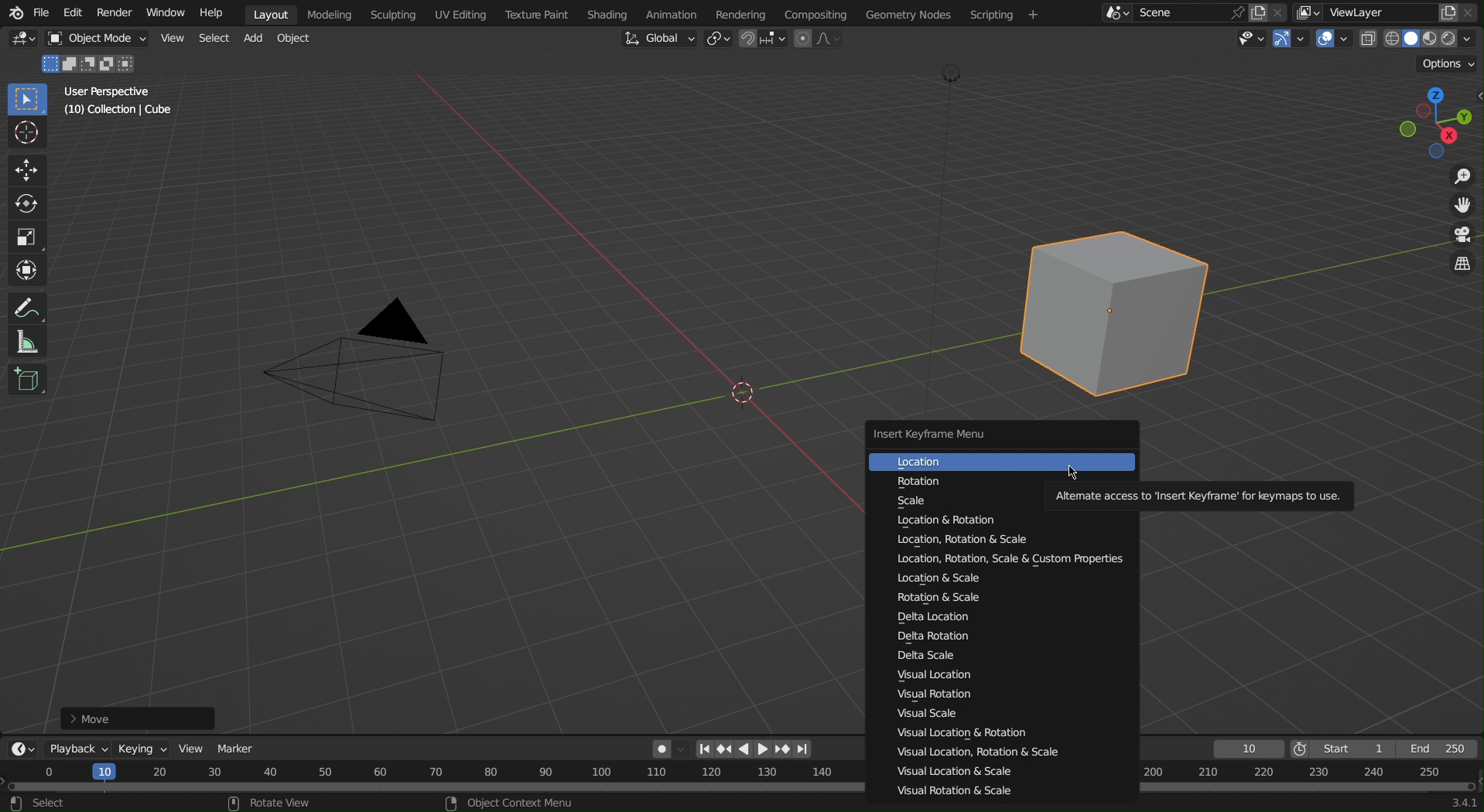 The image size is (1484, 812). Describe the element at coordinates (918, 13) in the screenshot. I see `Geometry Nodes` at that location.